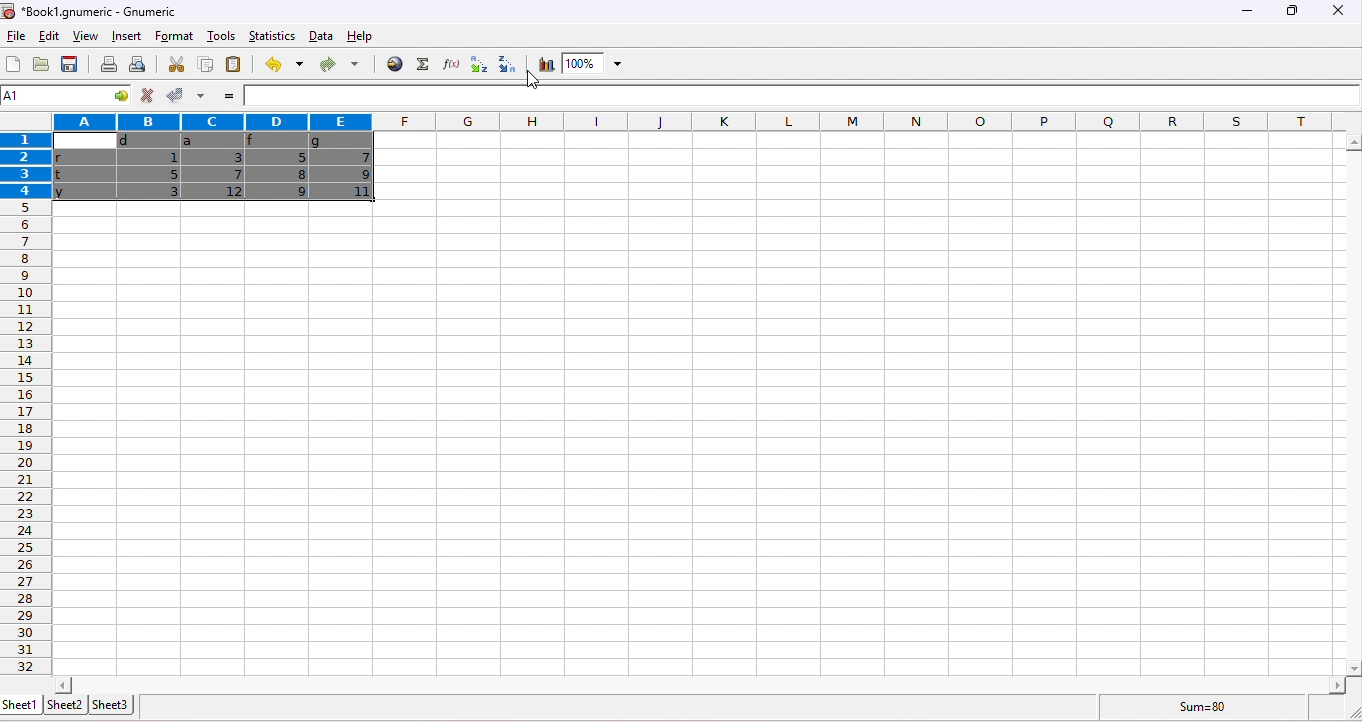  Describe the element at coordinates (52, 96) in the screenshot. I see `4R*5C` at that location.